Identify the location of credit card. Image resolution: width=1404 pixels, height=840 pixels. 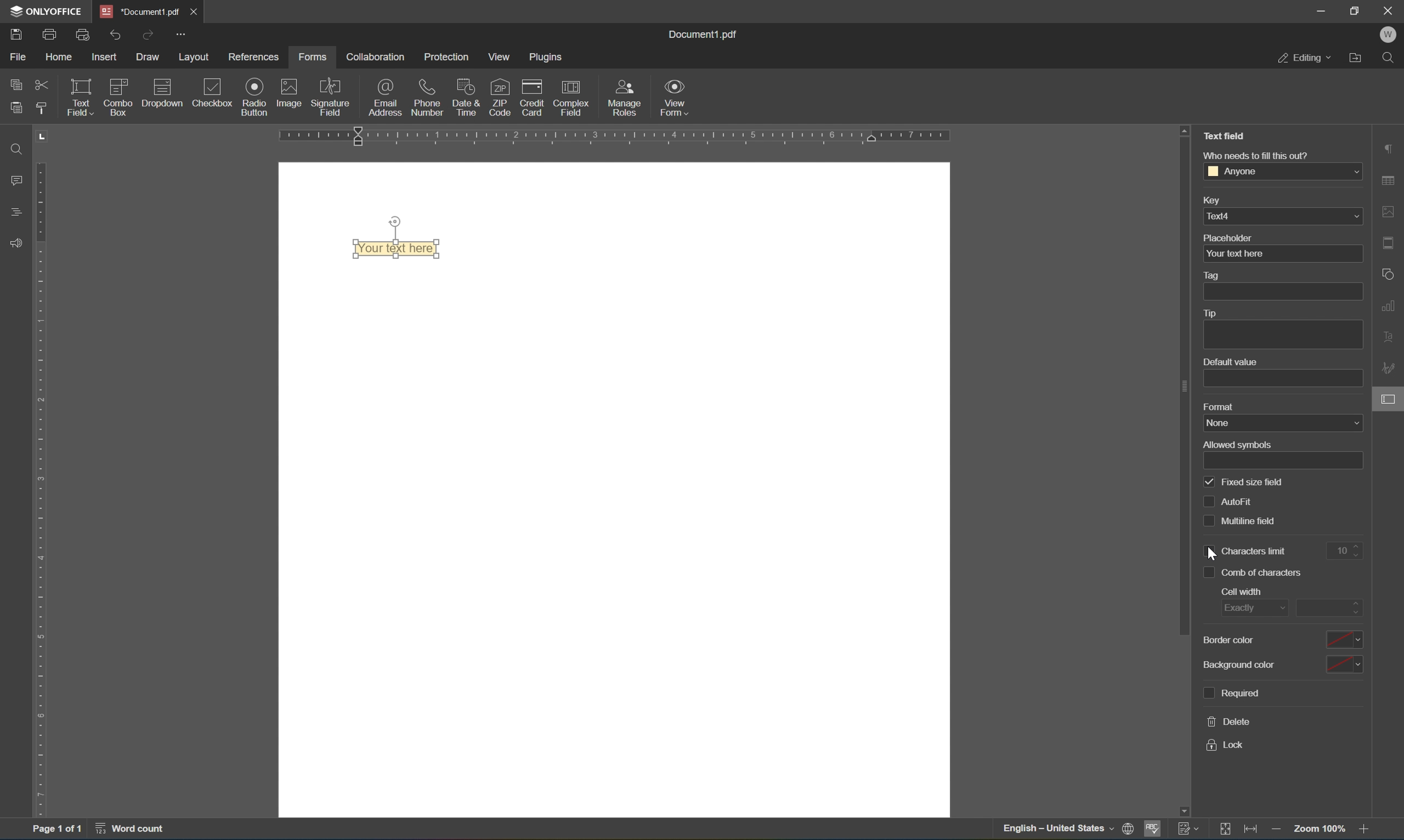
(532, 99).